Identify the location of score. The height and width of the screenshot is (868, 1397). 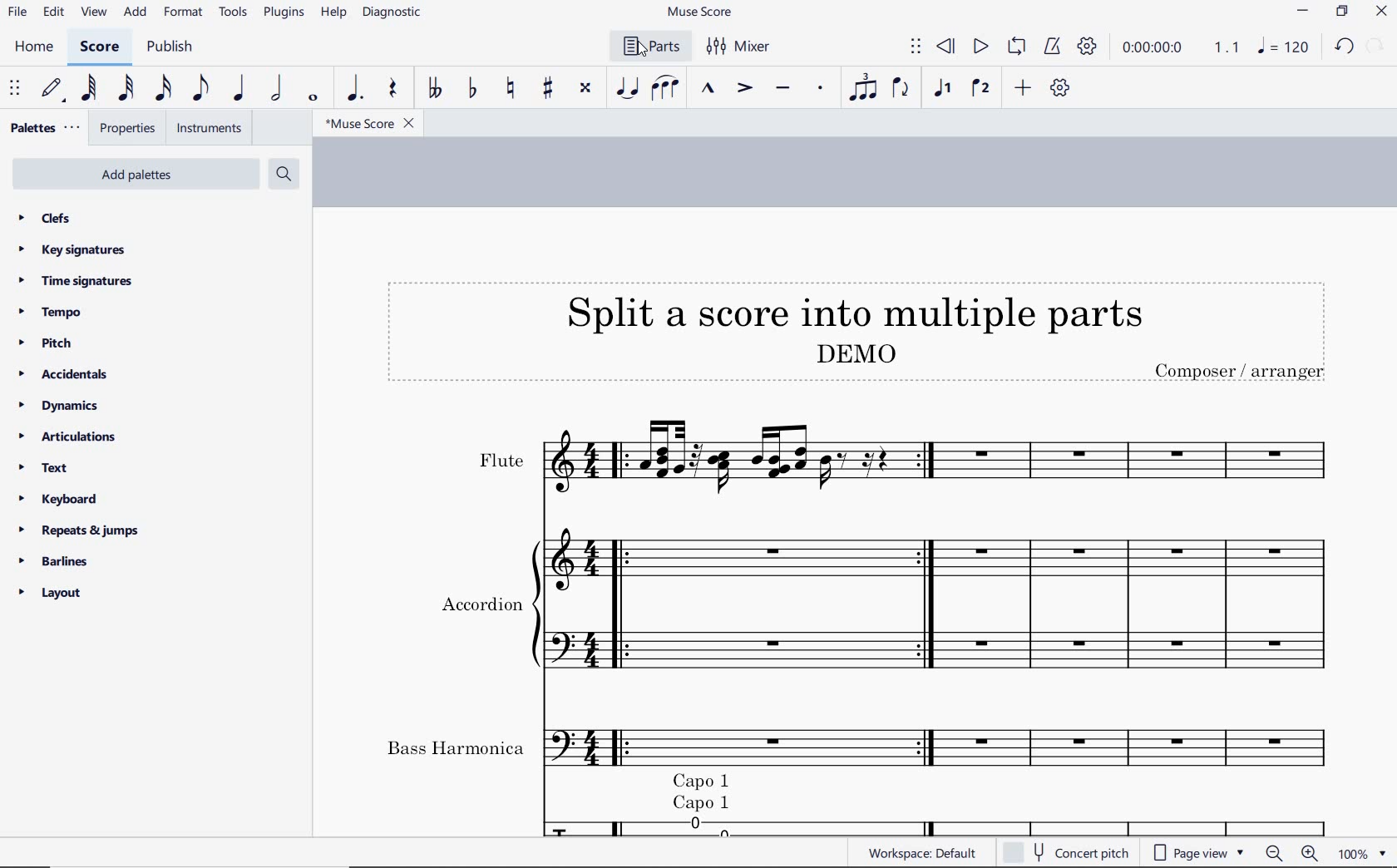
(98, 47).